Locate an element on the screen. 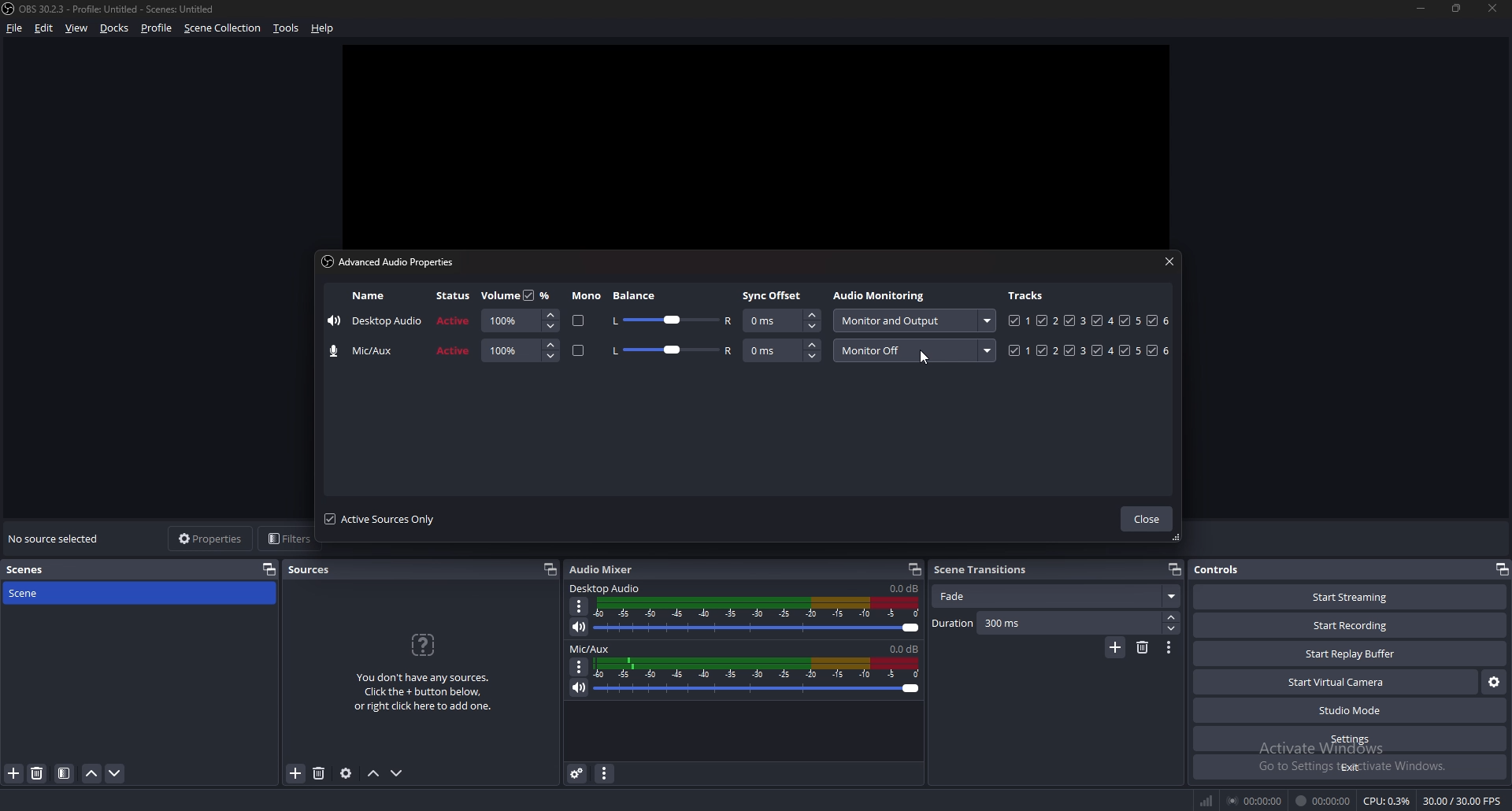  popout is located at coordinates (1174, 568).